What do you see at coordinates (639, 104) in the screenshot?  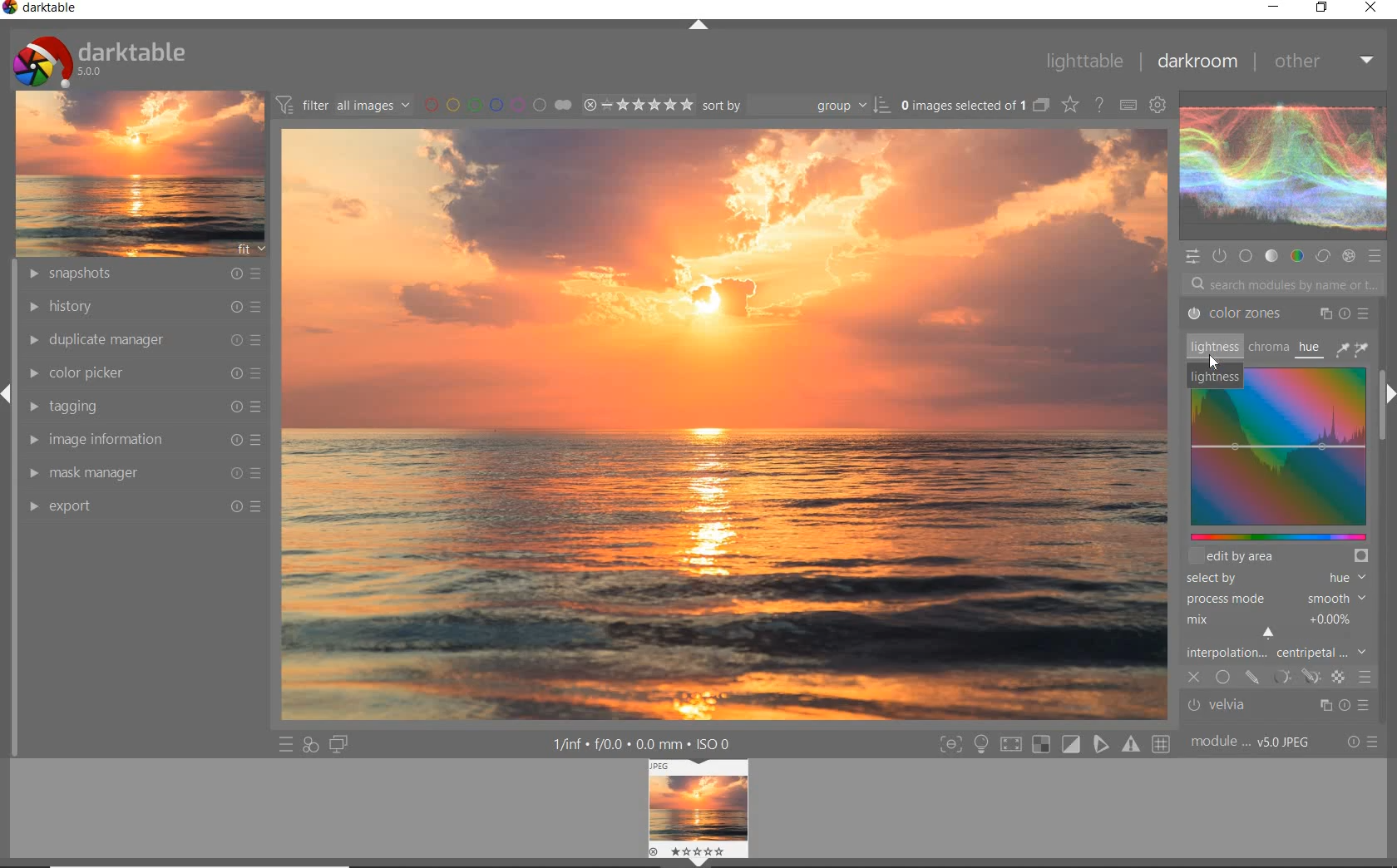 I see `SELECTED IMAGE RANGE RATING` at bounding box center [639, 104].